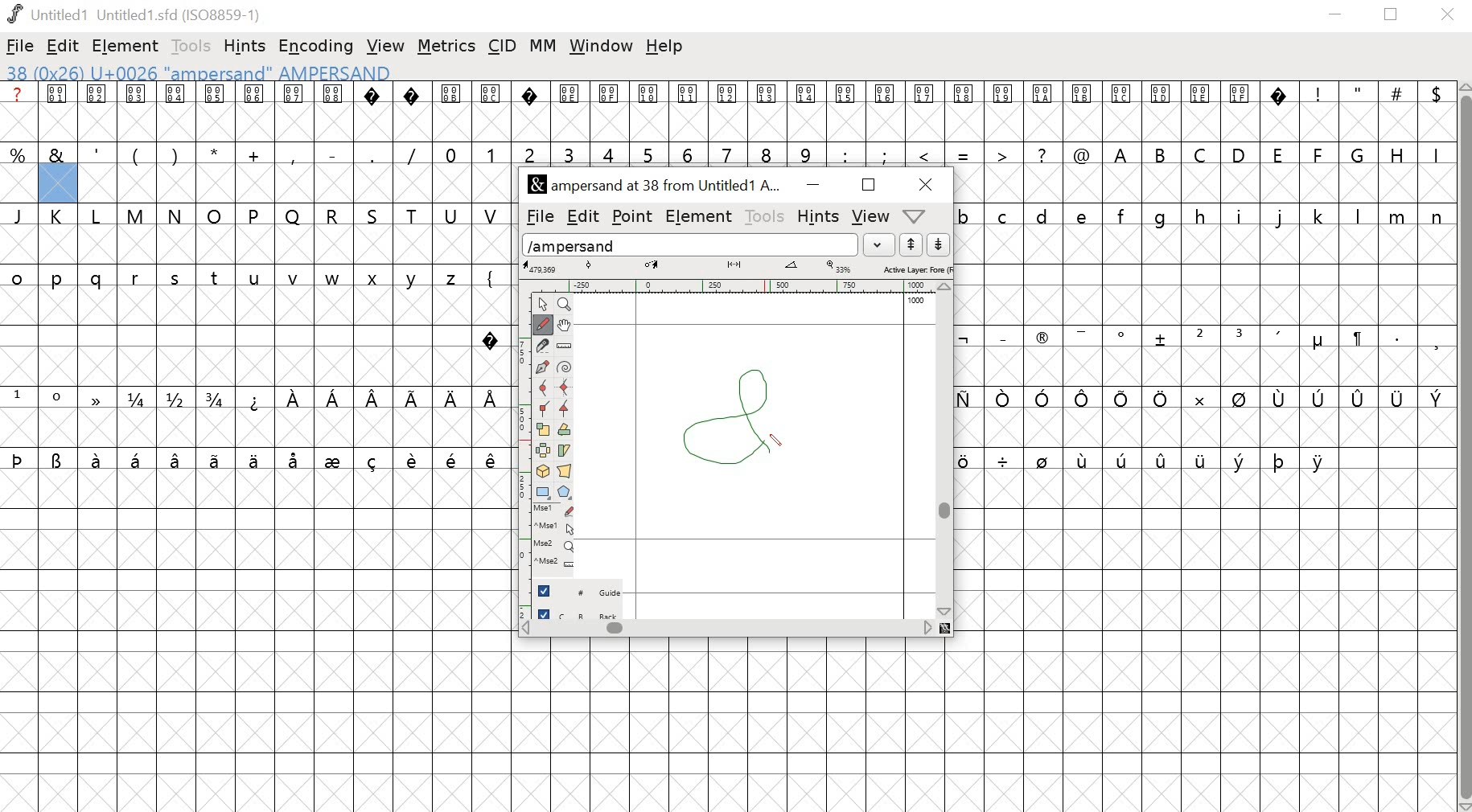 The image size is (1472, 812). Describe the element at coordinates (1450, 15) in the screenshot. I see `close` at that location.